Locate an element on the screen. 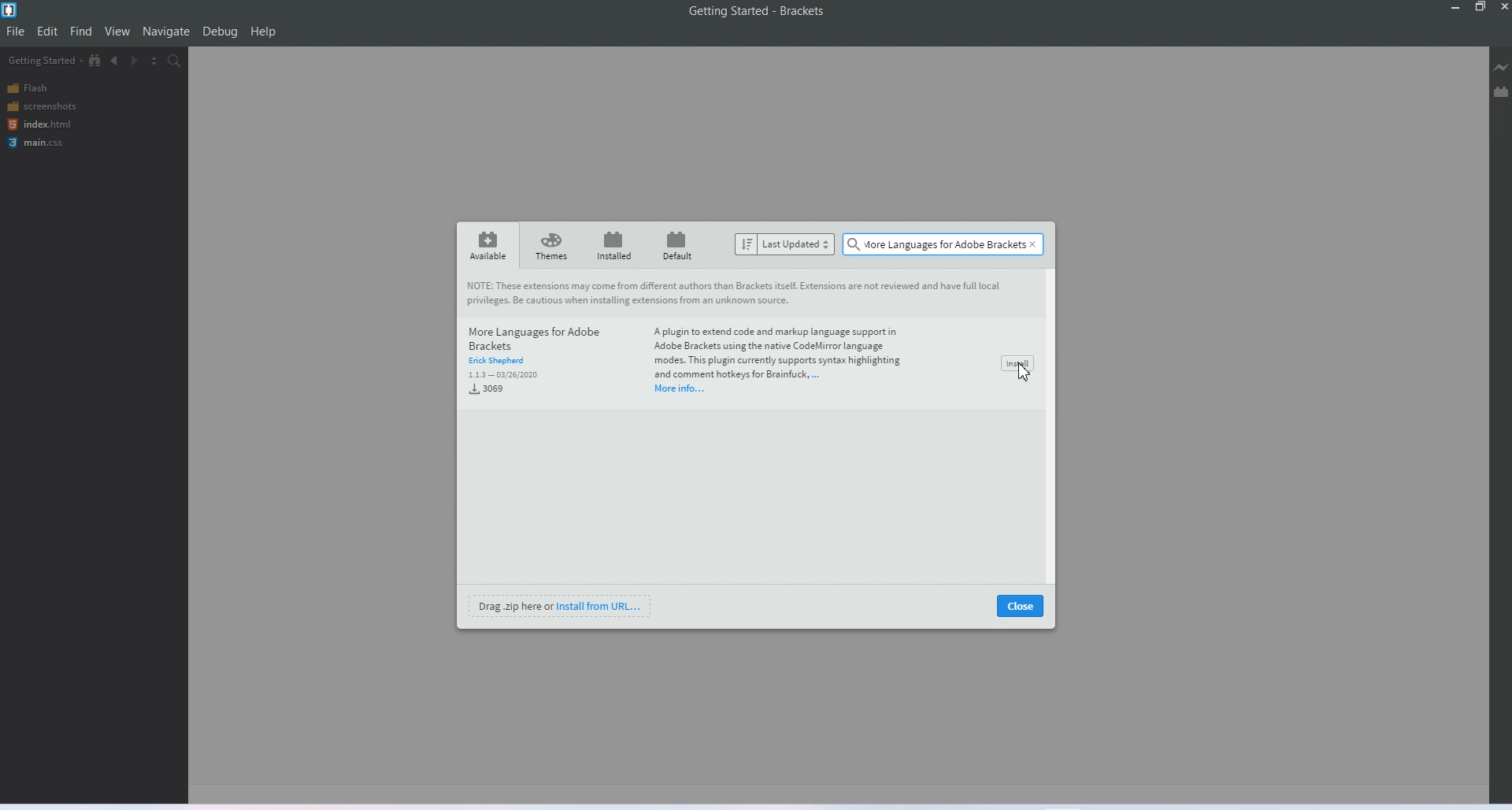  Note: The extensions may come from different authors than Brackets itself extension are not reviewed is located at coordinates (739, 295).